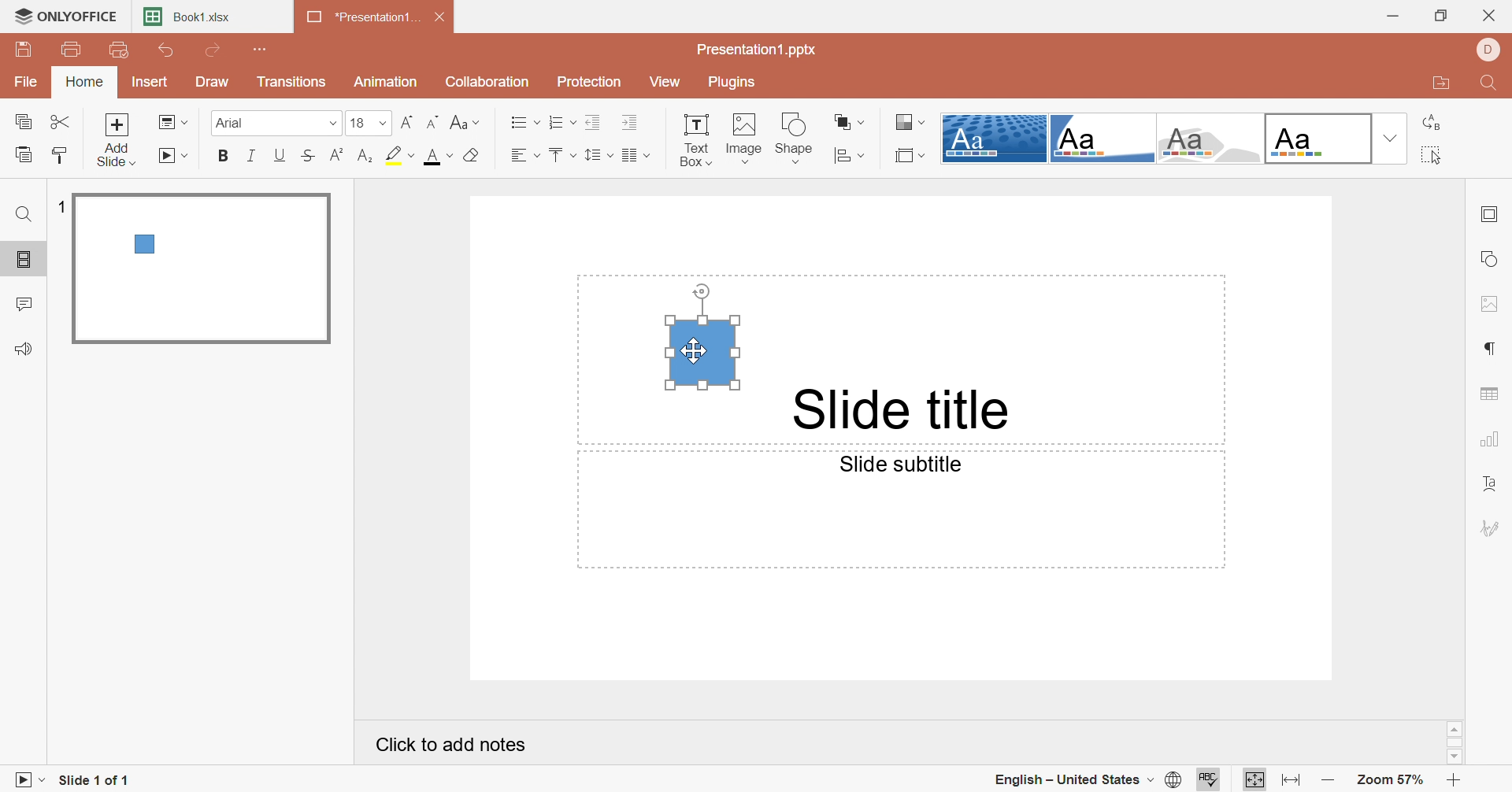  What do you see at coordinates (632, 154) in the screenshot?
I see `Insert columns` at bounding box center [632, 154].